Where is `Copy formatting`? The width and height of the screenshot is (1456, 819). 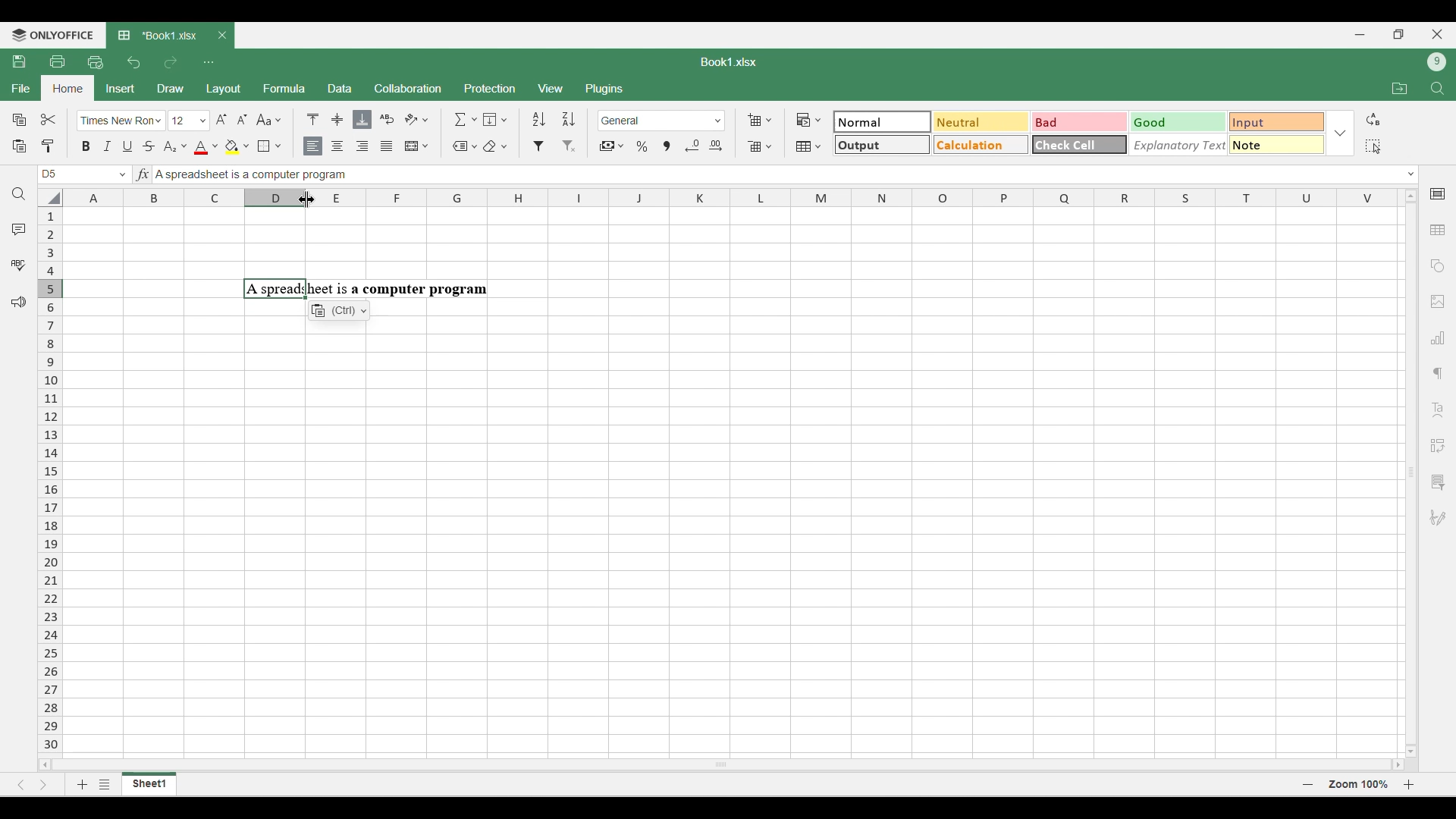
Copy formatting is located at coordinates (49, 146).